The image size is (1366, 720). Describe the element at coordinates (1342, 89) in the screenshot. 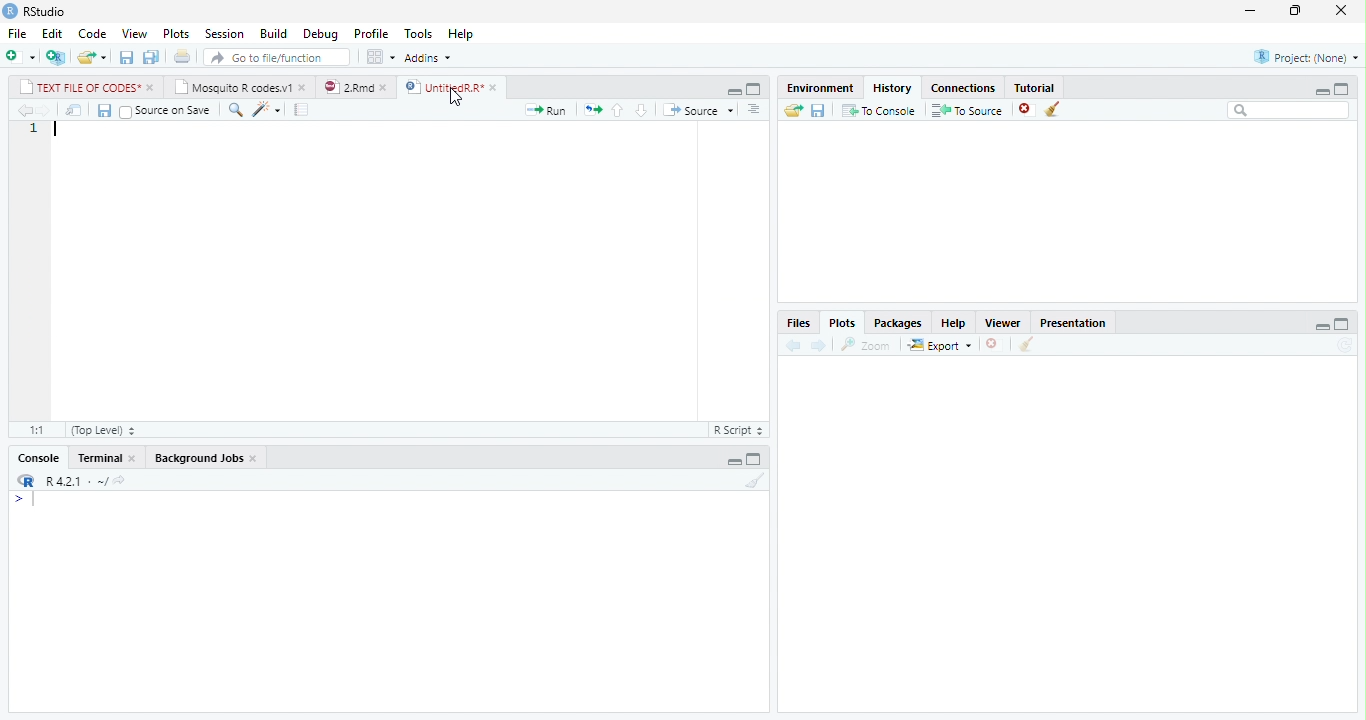

I see `maximize` at that location.